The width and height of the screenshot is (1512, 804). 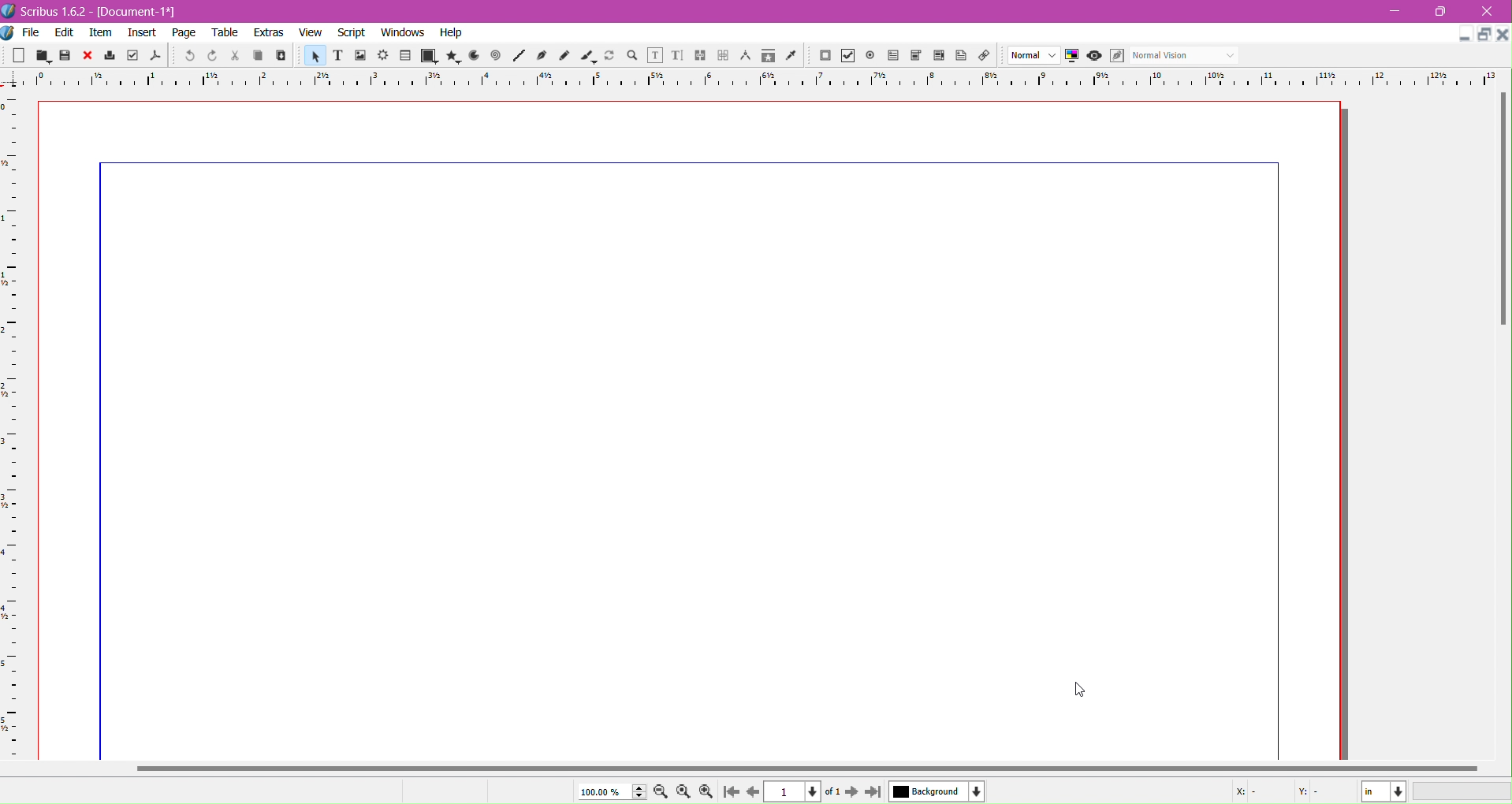 What do you see at coordinates (1093, 56) in the screenshot?
I see `preview mode` at bounding box center [1093, 56].